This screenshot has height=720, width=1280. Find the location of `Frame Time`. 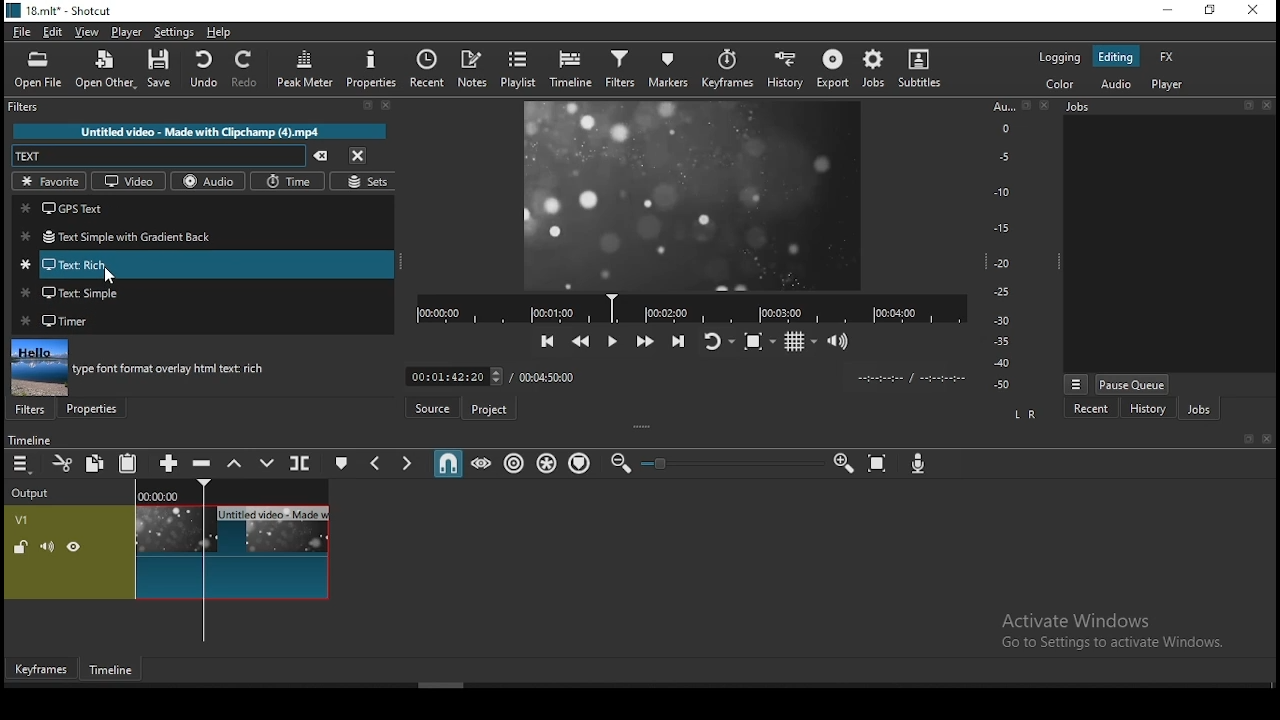

Frame Time is located at coordinates (454, 375).